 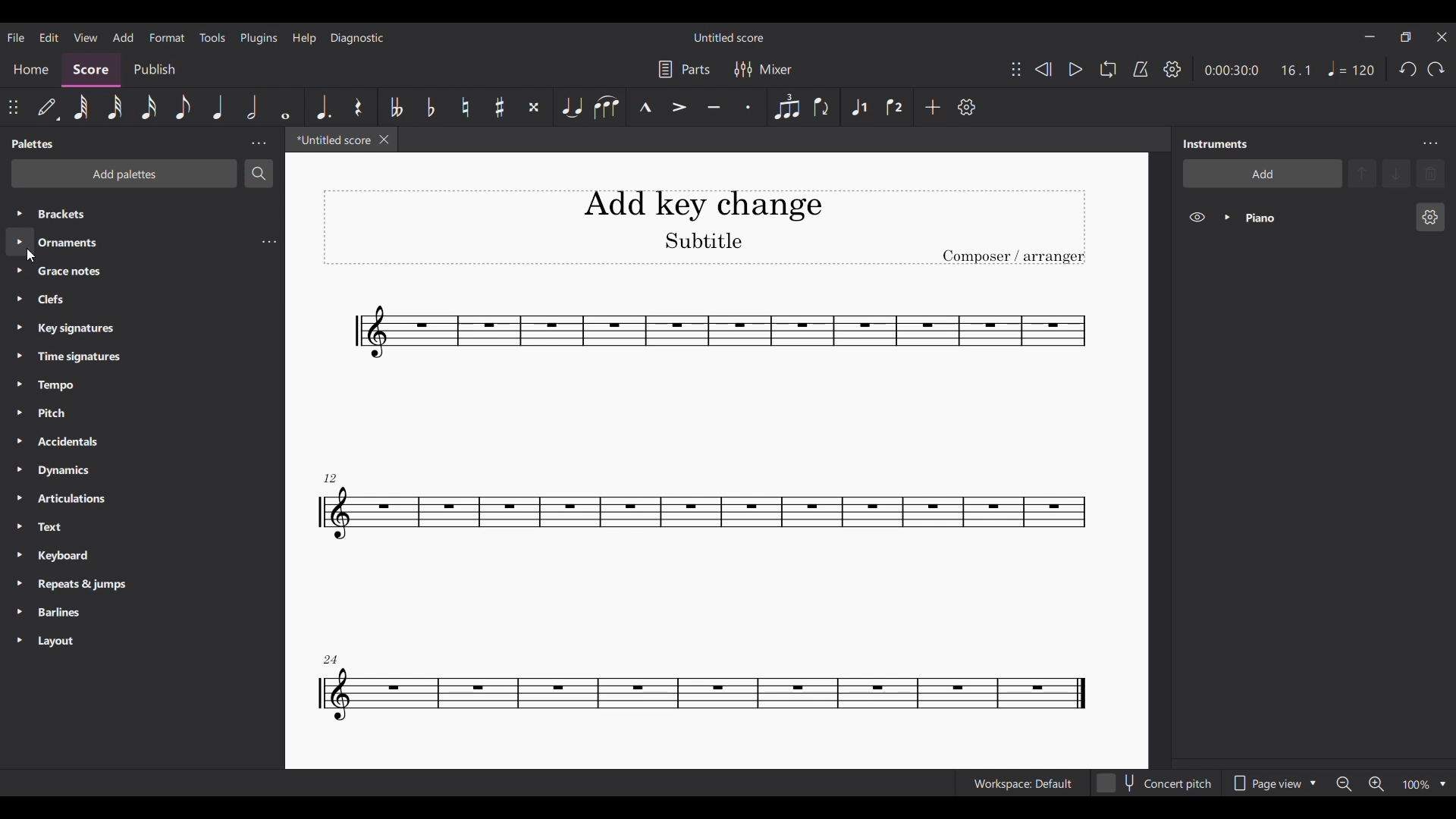 I want to click on Panel title, so click(x=33, y=143).